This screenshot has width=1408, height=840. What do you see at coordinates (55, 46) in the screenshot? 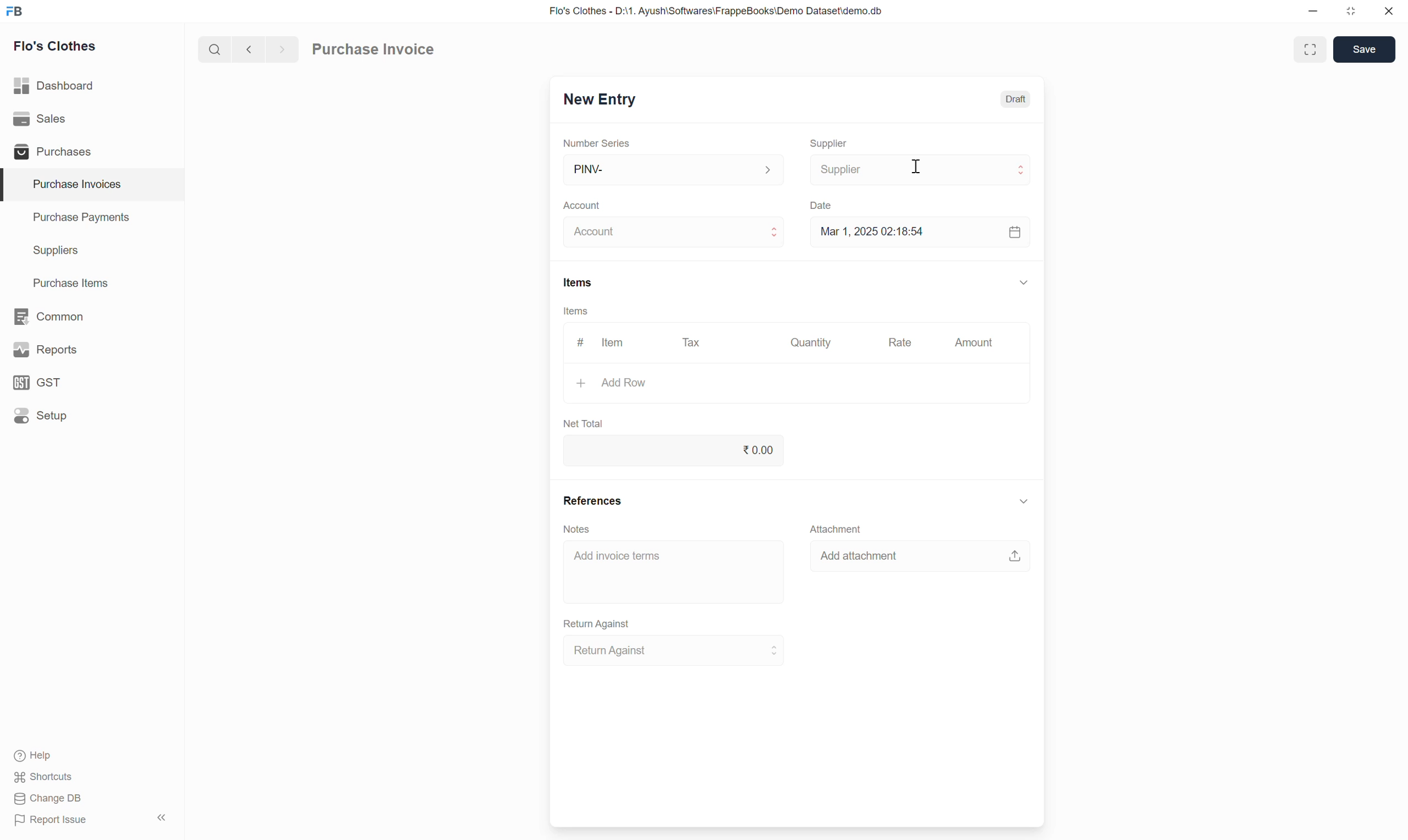
I see `Flo's Clothes` at bounding box center [55, 46].